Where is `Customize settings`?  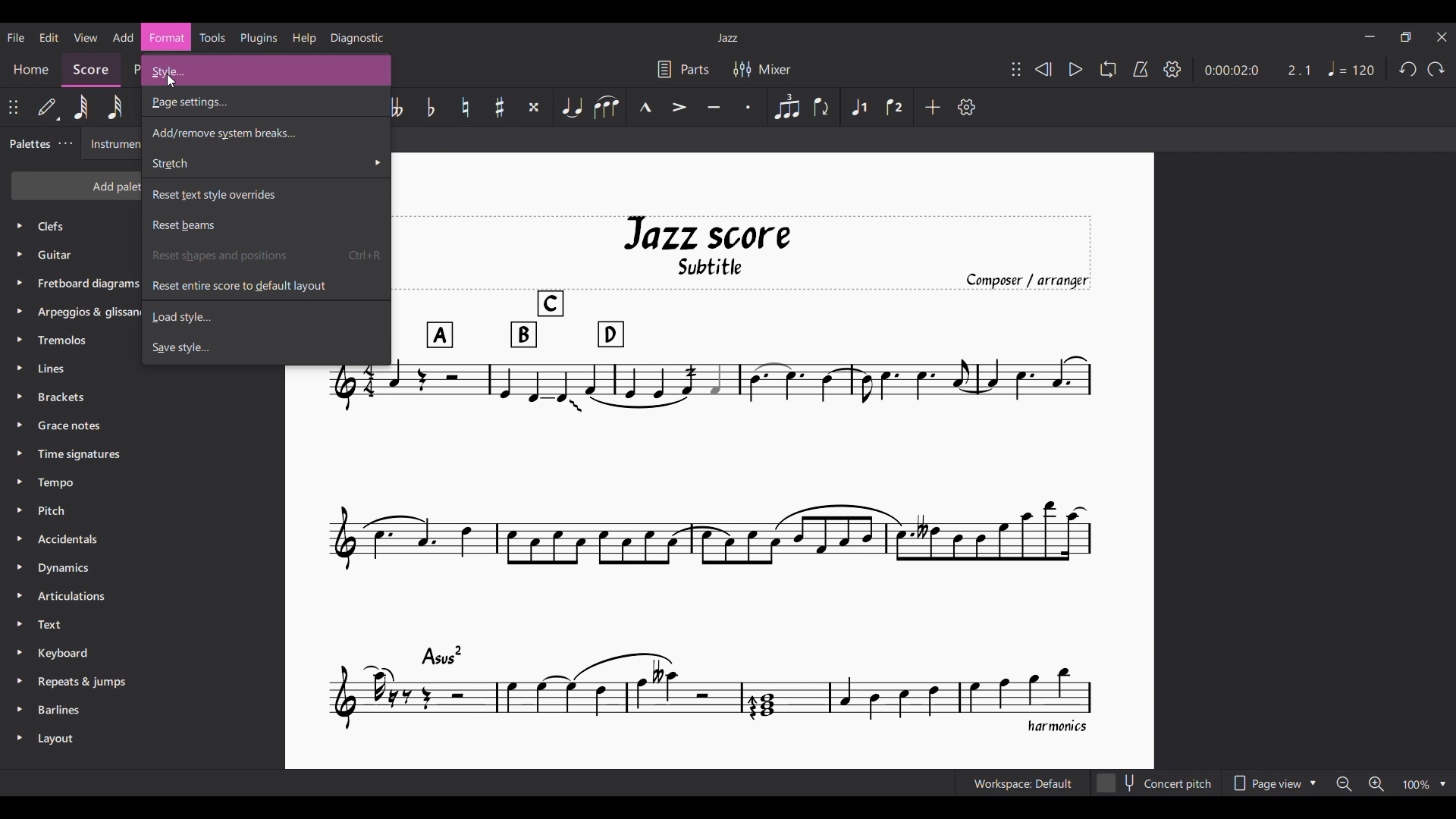
Customize settings is located at coordinates (966, 107).